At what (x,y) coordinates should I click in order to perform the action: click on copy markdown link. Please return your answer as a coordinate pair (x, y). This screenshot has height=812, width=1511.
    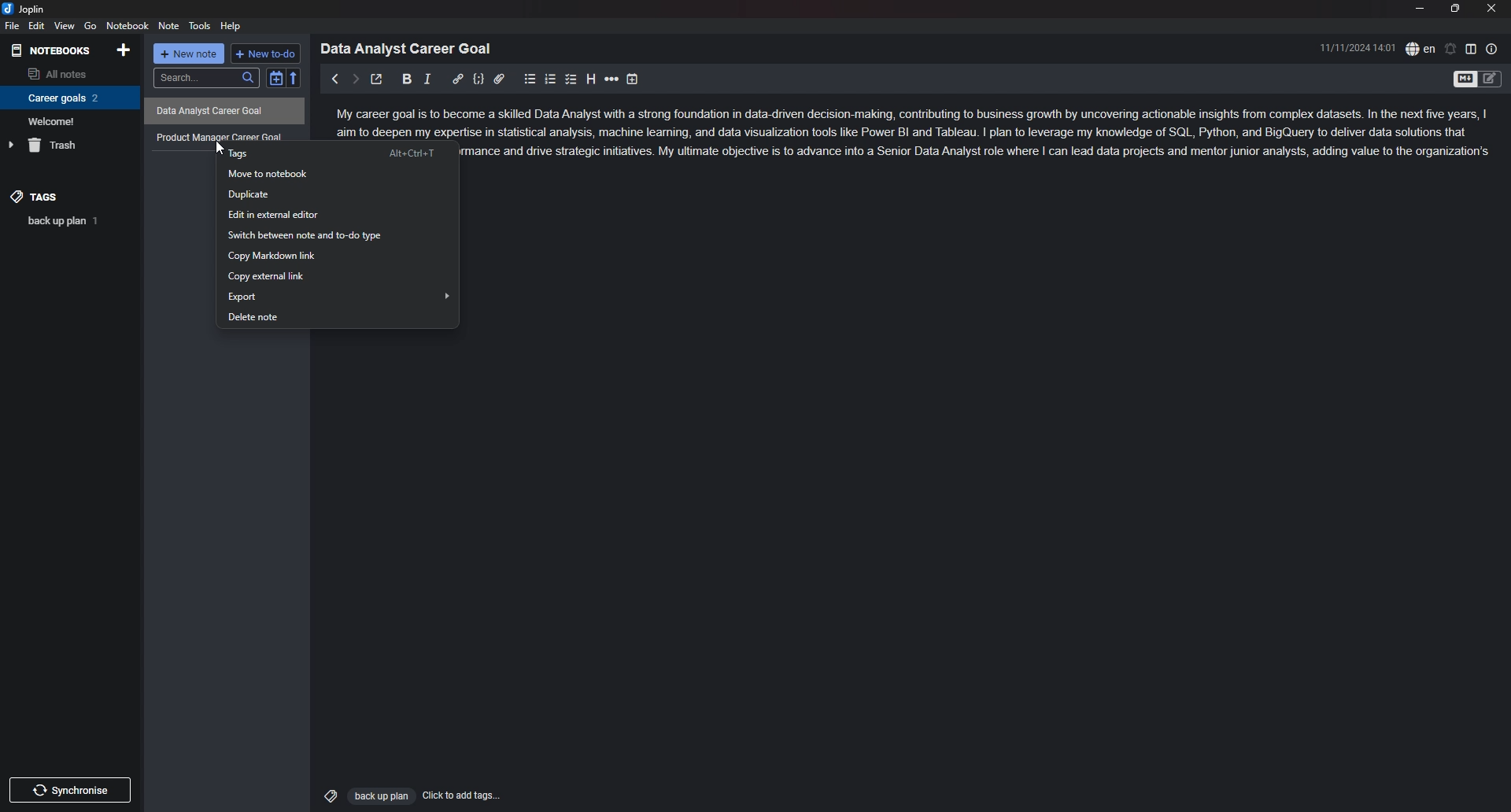
    Looking at the image, I should click on (338, 256).